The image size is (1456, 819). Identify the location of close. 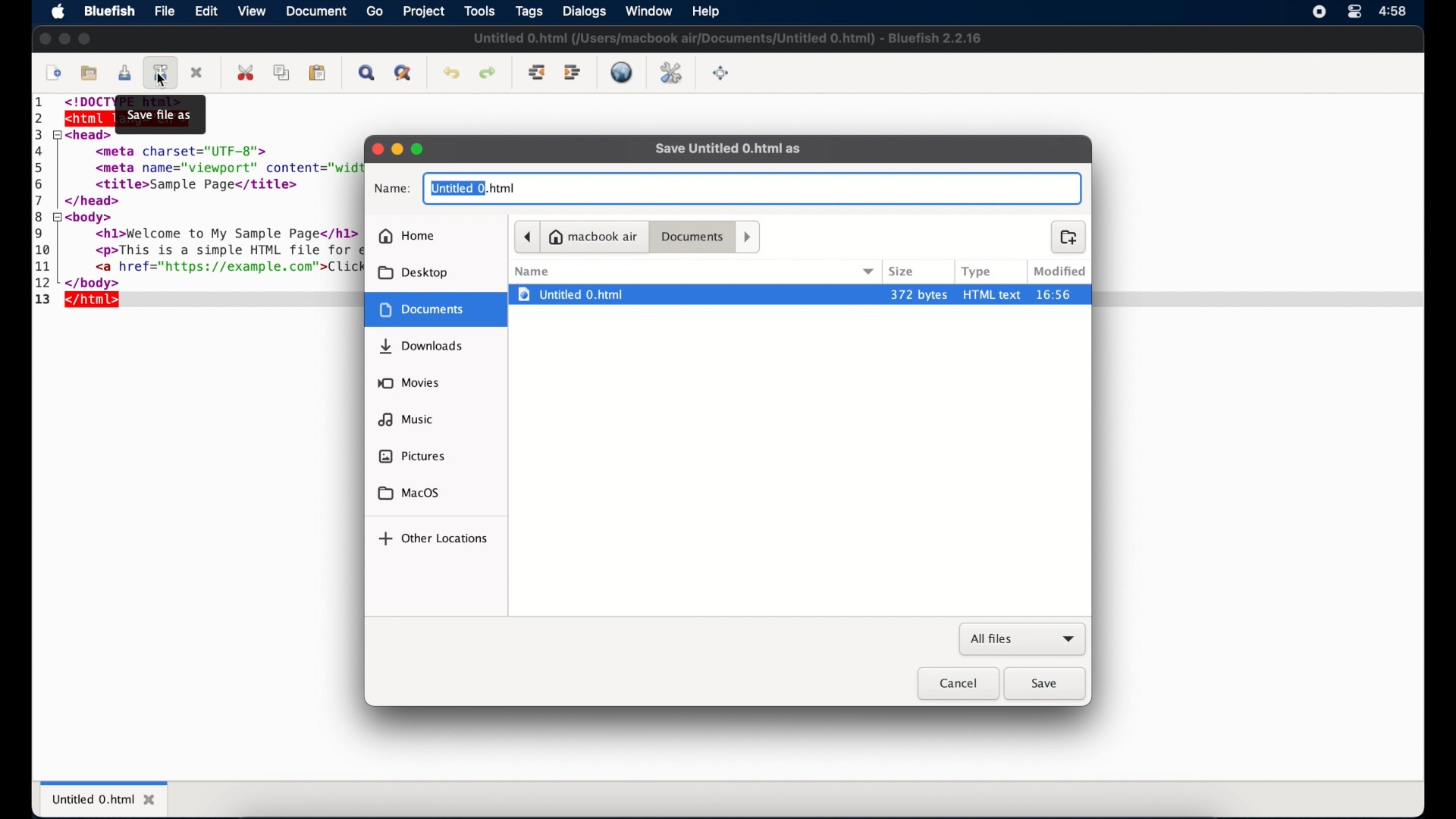
(377, 149).